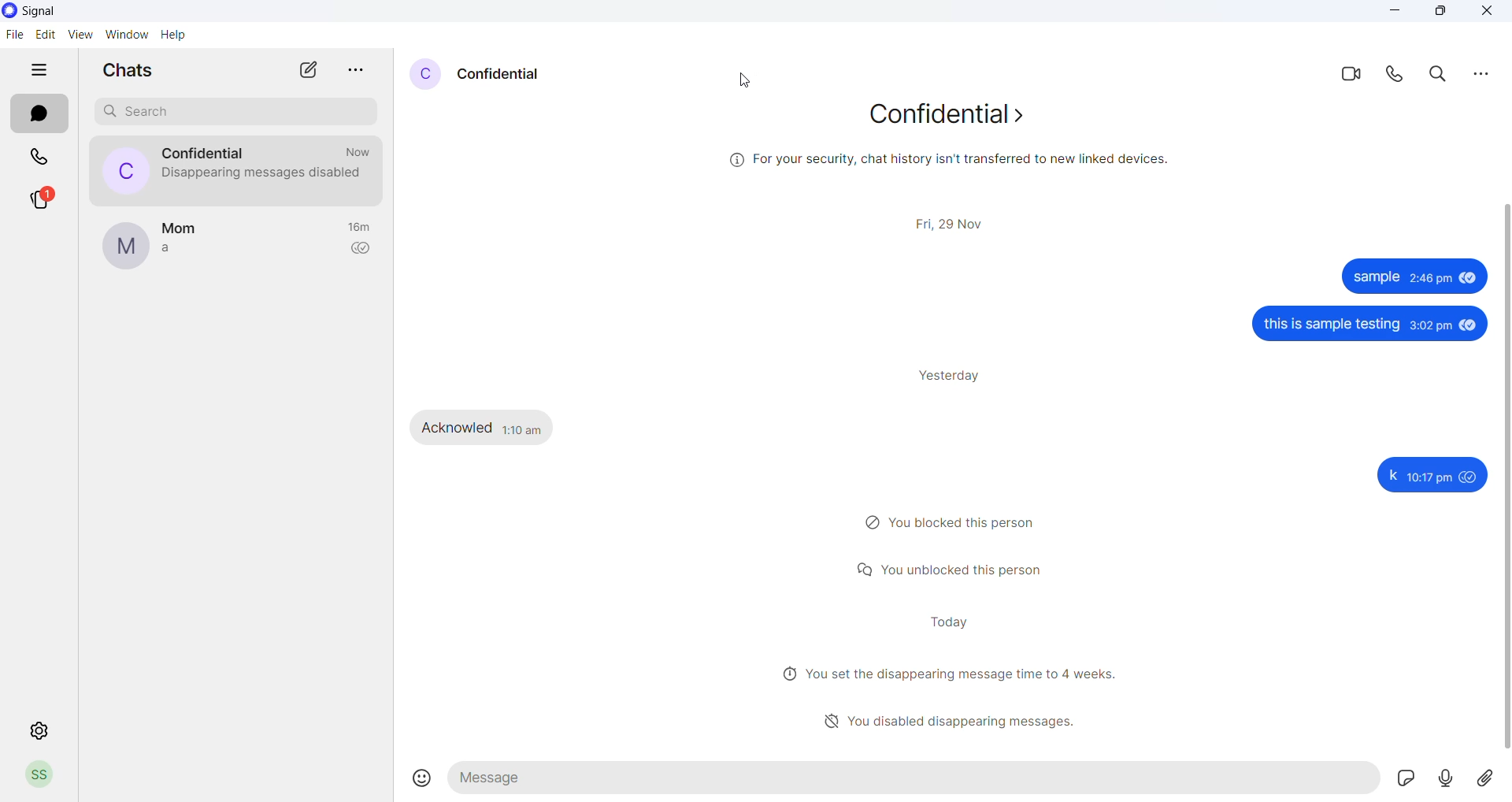  What do you see at coordinates (947, 222) in the screenshot?
I see `` at bounding box center [947, 222].